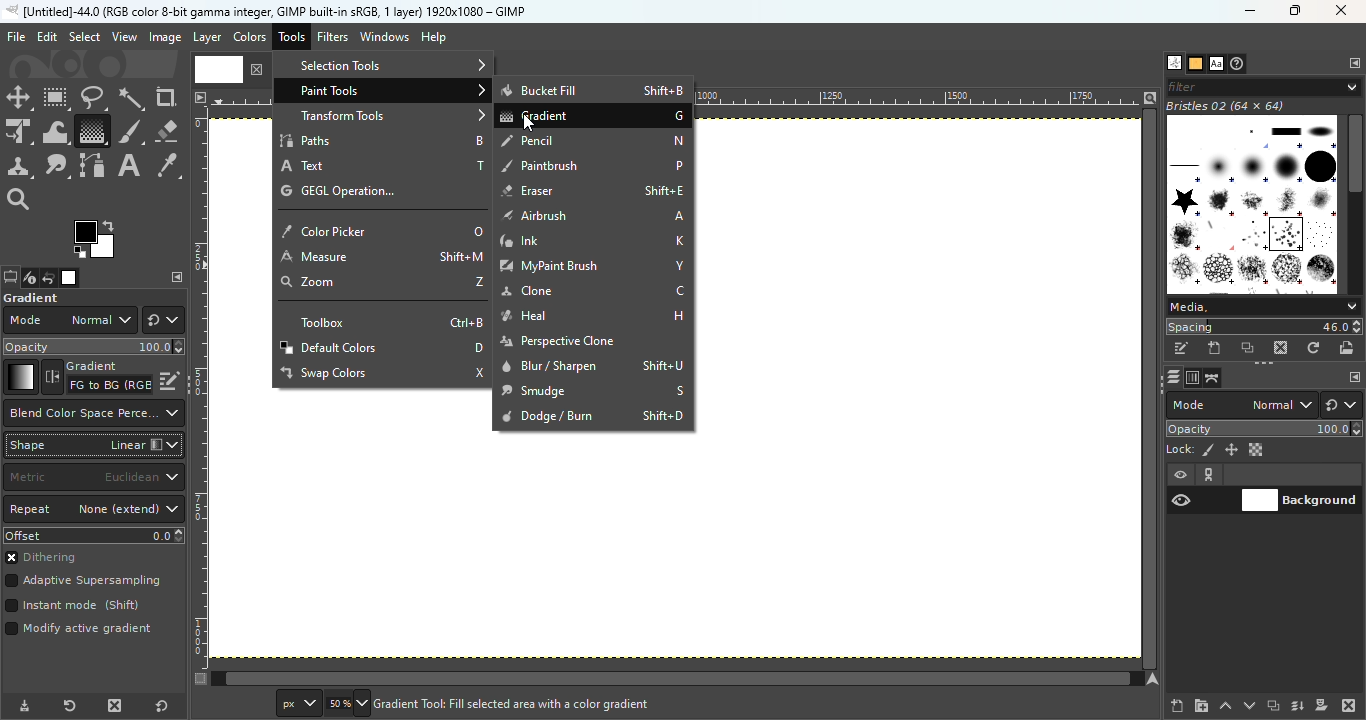  What do you see at coordinates (582, 340) in the screenshot?
I see `Perspective clone` at bounding box center [582, 340].